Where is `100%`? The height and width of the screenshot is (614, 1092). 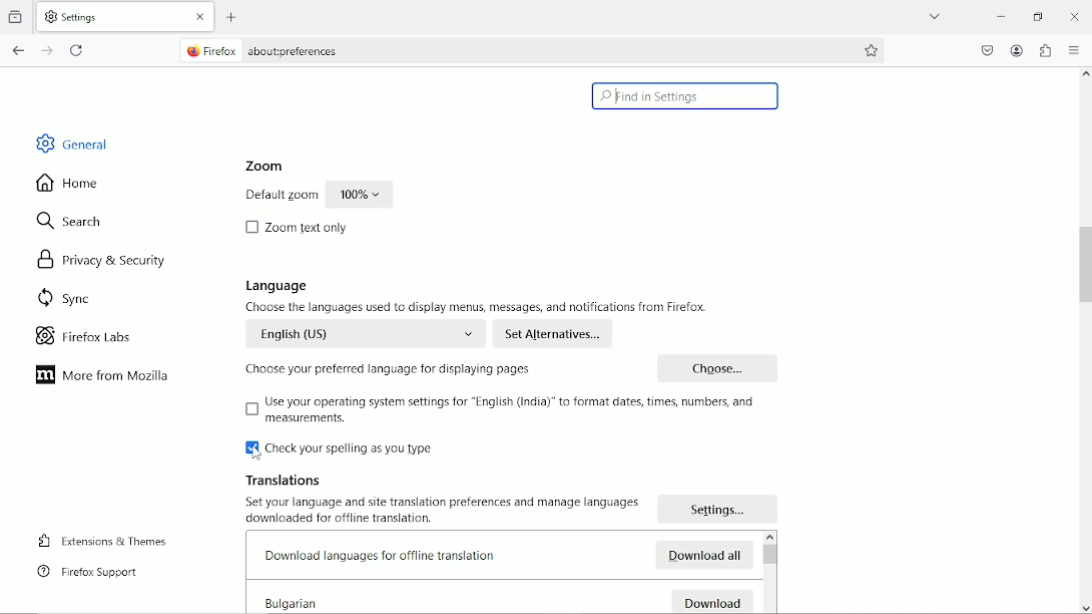 100% is located at coordinates (361, 195).